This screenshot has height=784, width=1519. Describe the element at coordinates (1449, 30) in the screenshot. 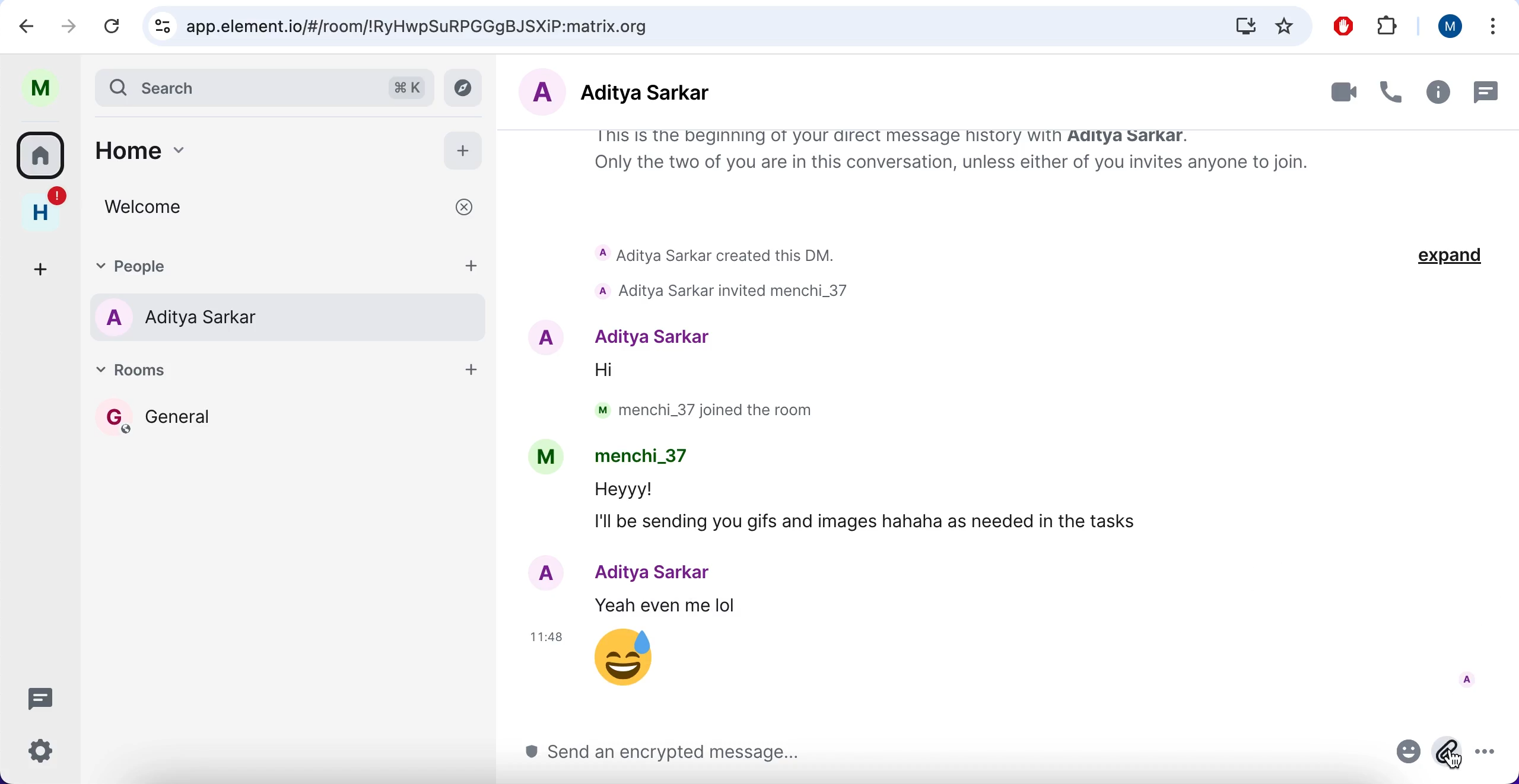

I see `user` at that location.